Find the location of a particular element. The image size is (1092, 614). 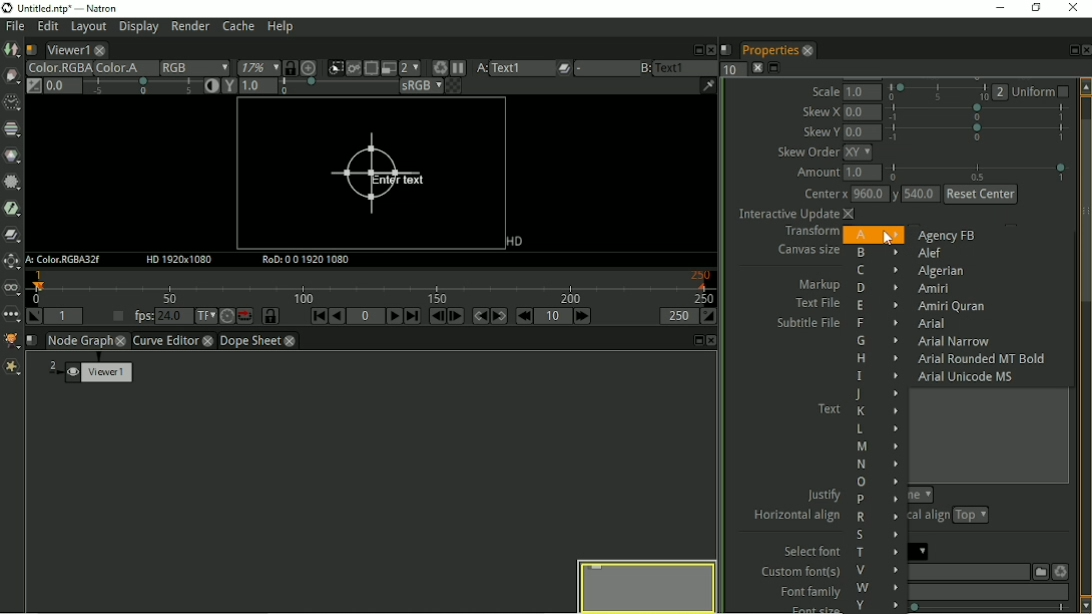

Merge is located at coordinates (13, 234).